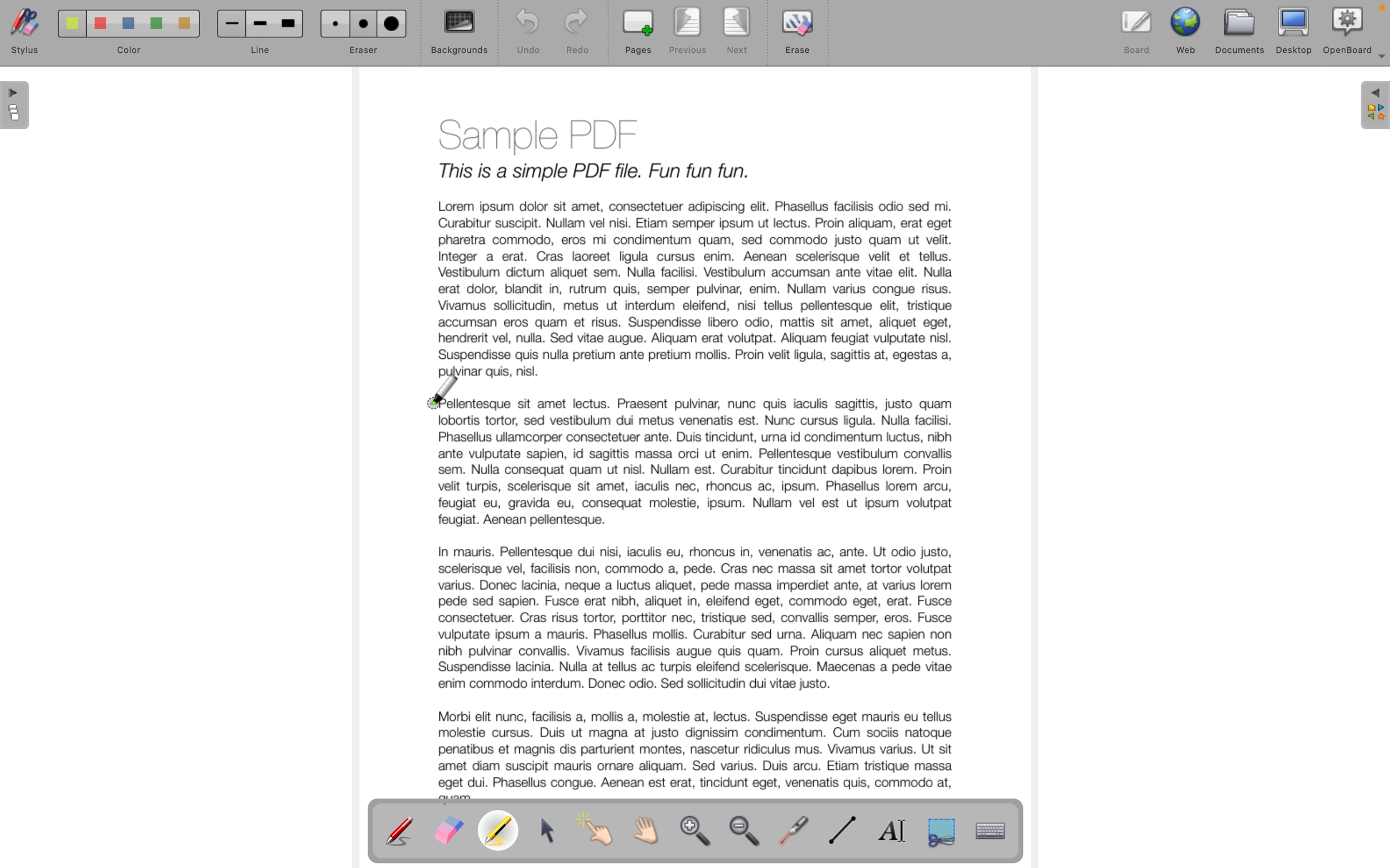  What do you see at coordinates (696, 454) in the screenshot?
I see `Sample PDF

This is a simple PDF file. Fun fun fun.

Lorem ipsum dolor sit amet, consectetuer adipiscing elit. Phasellus facilisis odio sed mi.
Curabitur suscipit. Nullam vel nisi. Etiam semper ipsum ut lectus. Proin aliquam, erat eget
pharetra commodo, eros mi condimentum quam, sed commodo justo quam ut velit.
Integer a erat. Cras laoreet ligula cursus enim. Aenean scelerisque velit et tellus.
Vestibulum dictum aliquet sem. Nulla facilisi. Vestibulum accumsan ante vitae elit. Nulla
erat dolor, blandit in, rutrum quis, semper pulvinar, enim. Nullam varius congue risus.
Vivamus sollicitudin, metus ut interdum eleifend, nisi tellus pellentesque elit, tristique
accumsan eros quam et risus. Suspendisse libero odio, mattis sit amet, aliquet eget,
hendrerit vel, nulla. Sed vitae augue. Aliquam erat volutpat. Aliquam feugiat vulputate nisl.
Suspendisse quis nulla pretium ante pretium mollis. Proin velit ligula, sagittis at, egestas a,

7 quis, nisl.

@Pellentesque sit amet lectus. Praesent pulvinar, nunc quis iaculis sagittis, justo quam
lobortis tortor, sed vestibulum dui metus venenatis est. Nunc cursus ligula. Nulla facilisi.
Phasellus ullamcorper consectetuer ante. Duis tincidunt, urna id condimentum luctus, nibh
ante vulputate sapien, id sagittis massa orci ut enim. Pellentesque vestibulum convallis
sem. Nulla consequat quam ut nisl. Nullam est. Curabitur tincidunt dapibus lorem. Proin
velit turpis, scelerisque sit amet, iaculis nec, rhoncus ac, ipsum. Phasellus lorem arcu,
feugiat eu, gravida eu, consequat molestie, ipsum. Nullam vel est ut ipsum volutpat
feugiat. Aenean pellentesque.

In mauris. Pellentesque dui nisi, iaculis eu, rhoncus in, venenatis ac, ante. Ut odio justo,
scelerisque vel, facilisis non, commodo a, pede. Cras nec massa sit amet tortor volutpat
varius. Donec lacinia, neque a luctus aliquet, pede massa imperdiet ante, at varius lorem
pede sed sapien. Fusce erat nibh, aliquet in, eleifend eget, commodo eget, erat. Fusce
consectetuer. Cras risus tortor, porttitor nec, tristique sed, convallis semper, eros. Fusce
wulputate ipsum a mauris. Phasellus mollis. Curabitur sed urna. Aliquam nec sapien non
nibh pulvinar convallis. Vivamus facilisis augue quis quam. Proin cursus aliquet metus.
Suspendisse lacinia. Nulla at tellus ac turpis eleifend scelerisque. Maecenas a pede vitae
enim commodo interdum. Donec odio. Sed sollicitudin dui vitae justo.

Morbi elit nunc, facilisis a, mollis a, molestie at, lectus. Suspendisse eget mauris eu tellus
molestie cursus. Duis ut magna at justo dignissim condimentum. Cum sociis natoque
penatibus et magnis dis parturient montes, nascetur ridiculus mus. Vivamus varius. Ut sit
amet diam suscipit mauris ornare aliquam. Sed varius. Duis arcu. Etiam tristique massa
eget dui. Phasellus congue. Aenean est erat, tincidunt eget, venenatis quis, commodo at,` at bounding box center [696, 454].